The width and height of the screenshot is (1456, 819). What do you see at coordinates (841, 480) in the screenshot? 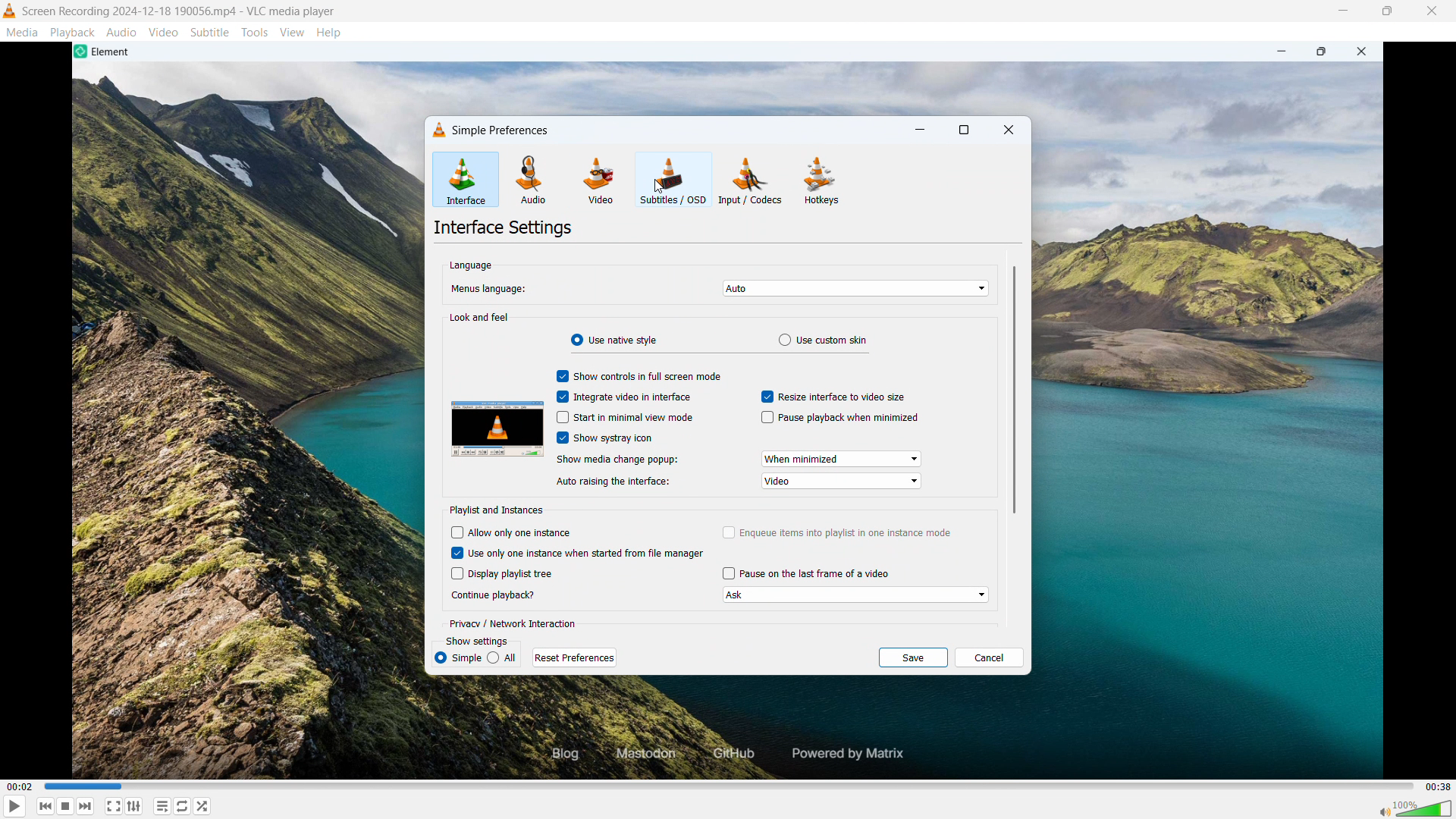
I see `Auto raising the interface ` at bounding box center [841, 480].